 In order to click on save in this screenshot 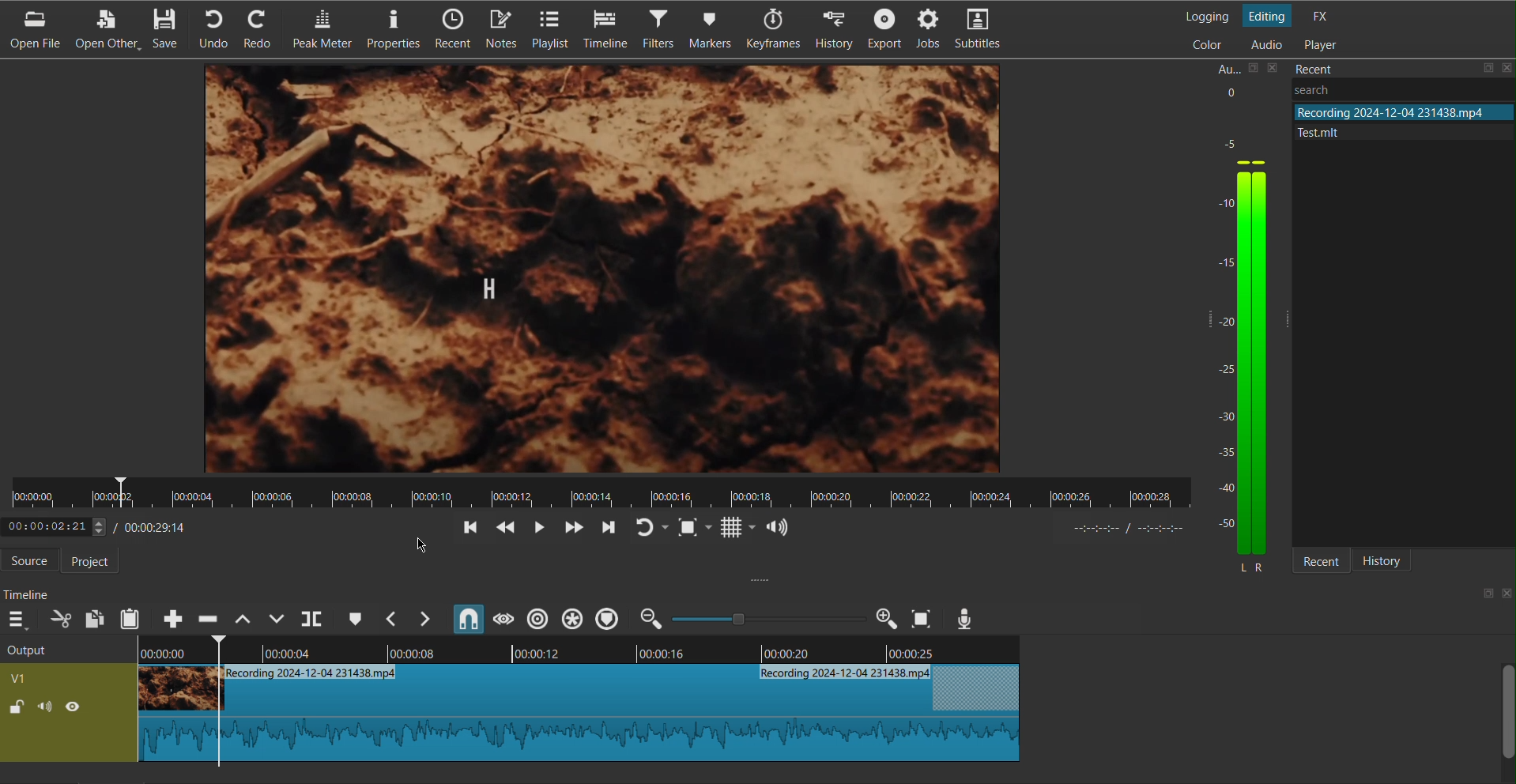, I will do `click(1484, 595)`.